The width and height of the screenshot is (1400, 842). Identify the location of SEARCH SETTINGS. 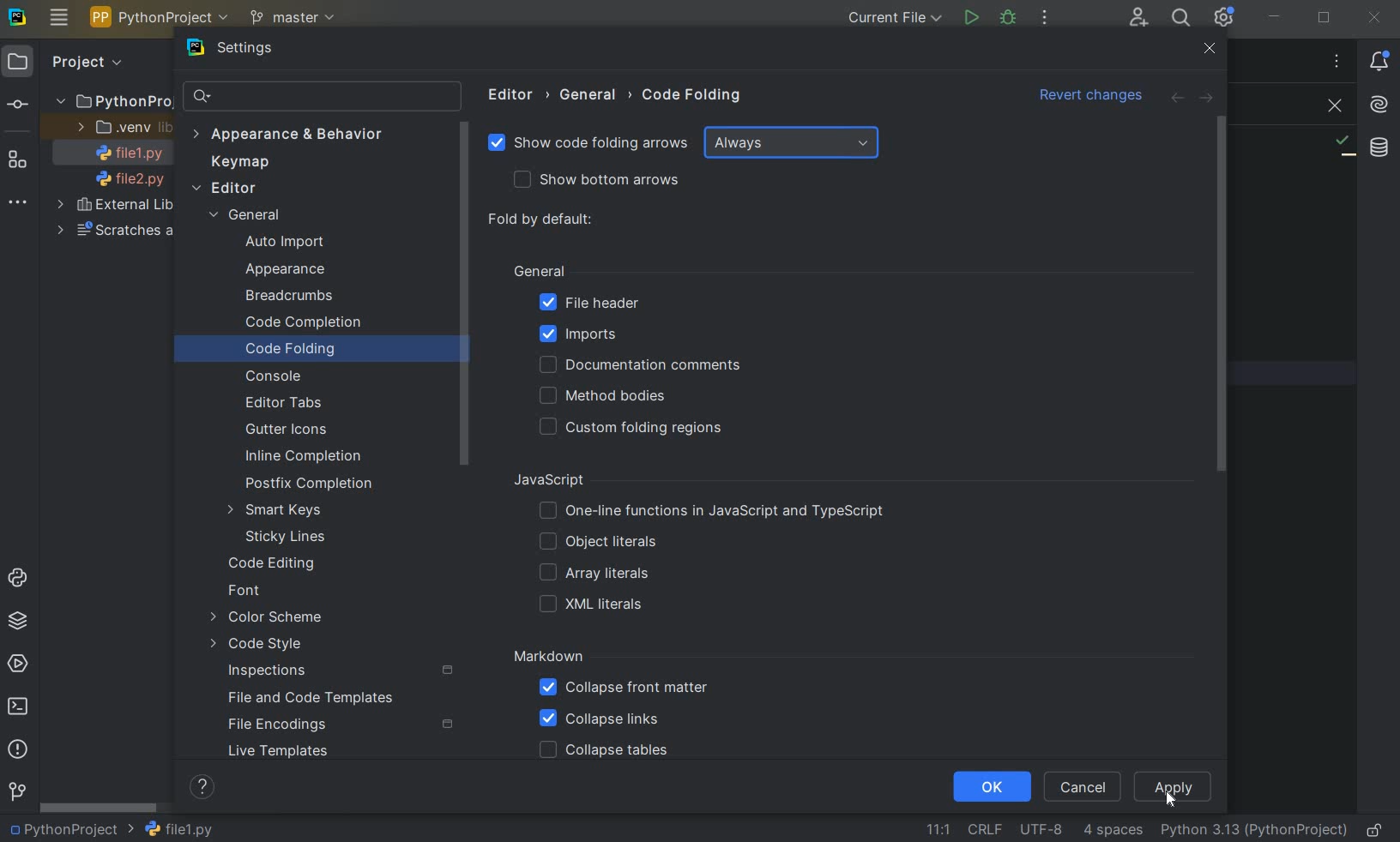
(321, 98).